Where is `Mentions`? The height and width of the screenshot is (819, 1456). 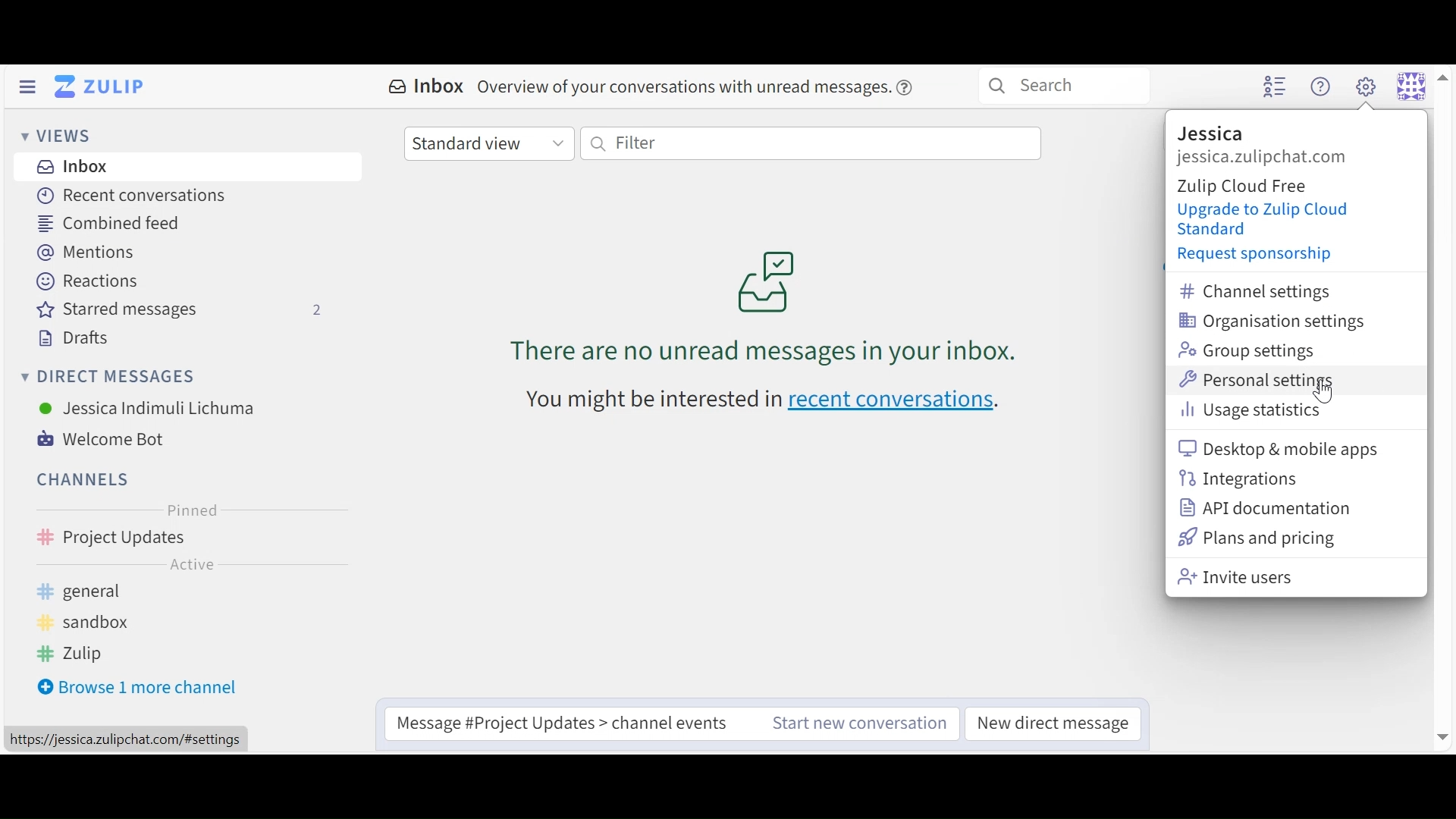
Mentions is located at coordinates (87, 253).